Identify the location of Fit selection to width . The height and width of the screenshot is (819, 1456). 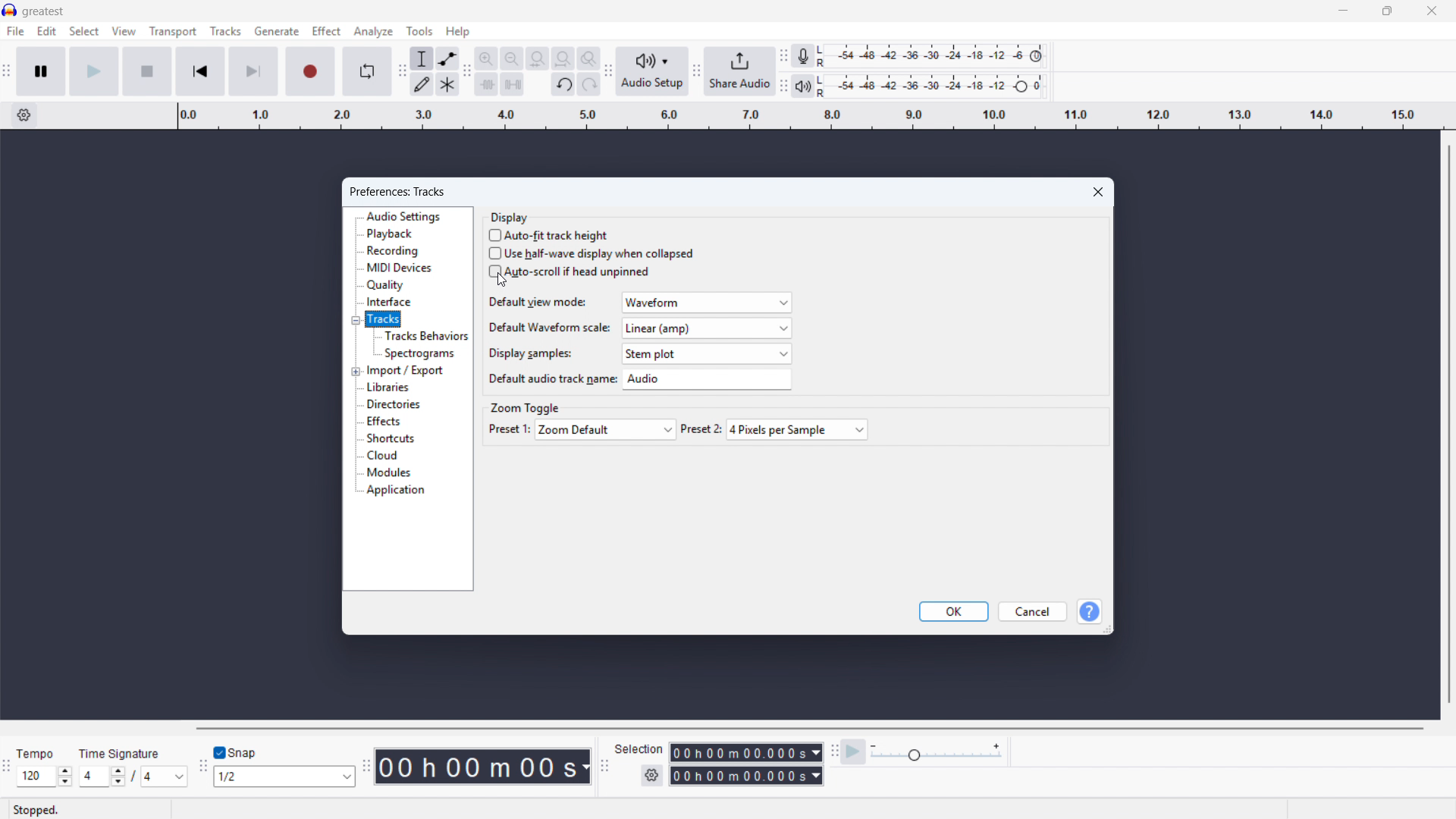
(538, 59).